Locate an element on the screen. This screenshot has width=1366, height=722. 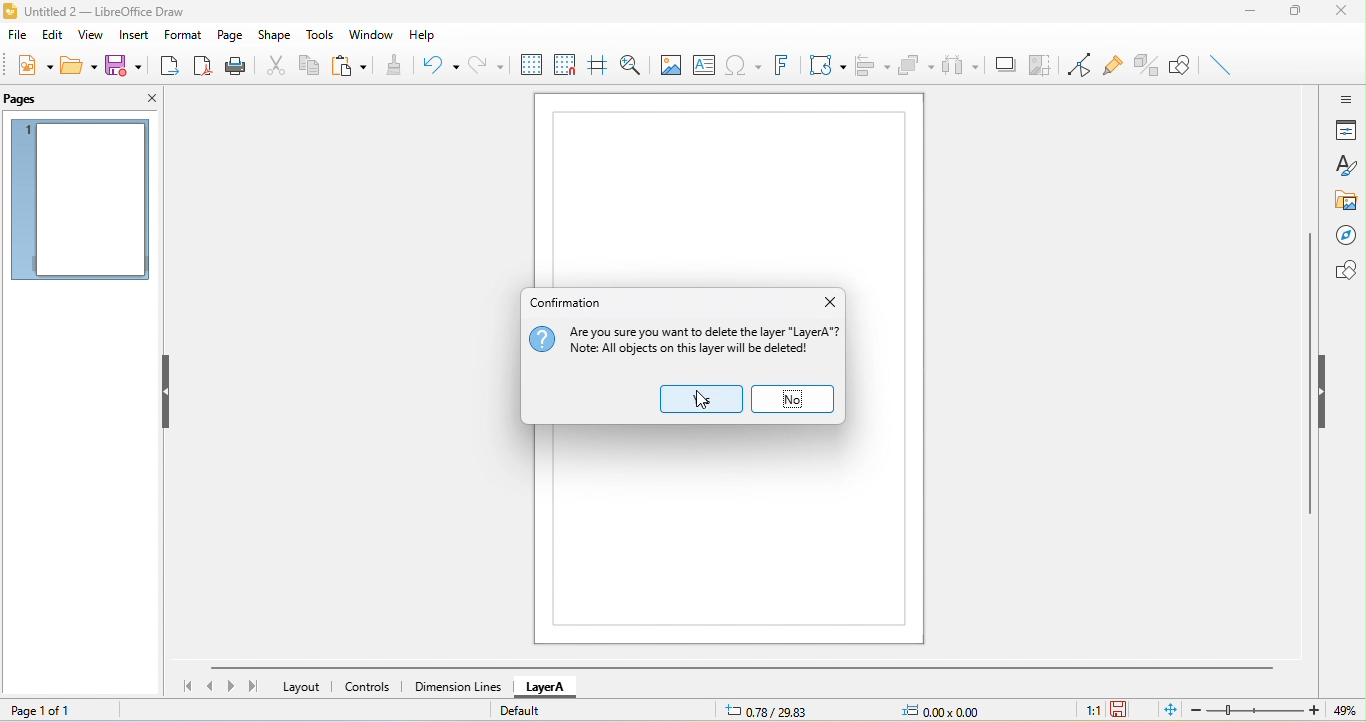
next page is located at coordinates (231, 686).